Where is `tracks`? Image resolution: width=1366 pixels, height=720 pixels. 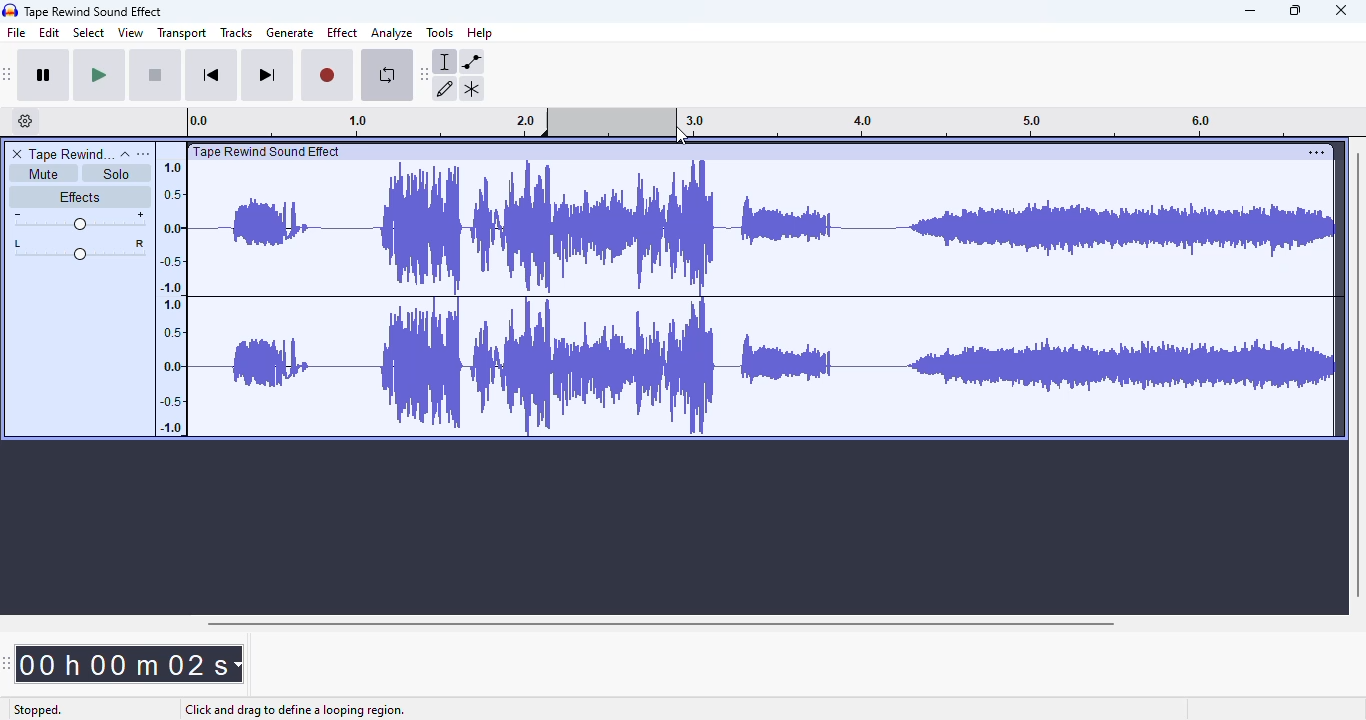
tracks is located at coordinates (237, 33).